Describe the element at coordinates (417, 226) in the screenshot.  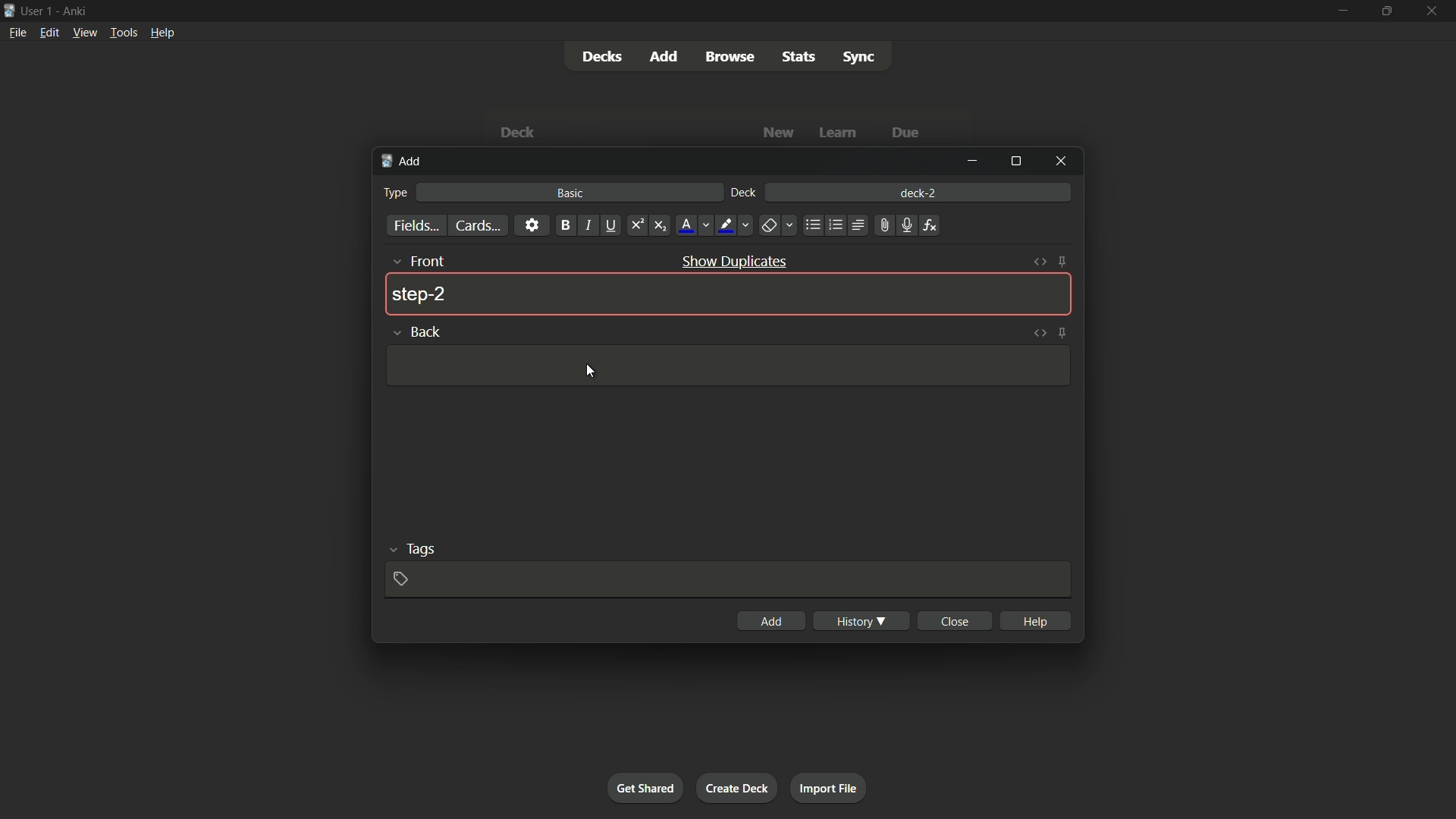
I see `fields` at that location.